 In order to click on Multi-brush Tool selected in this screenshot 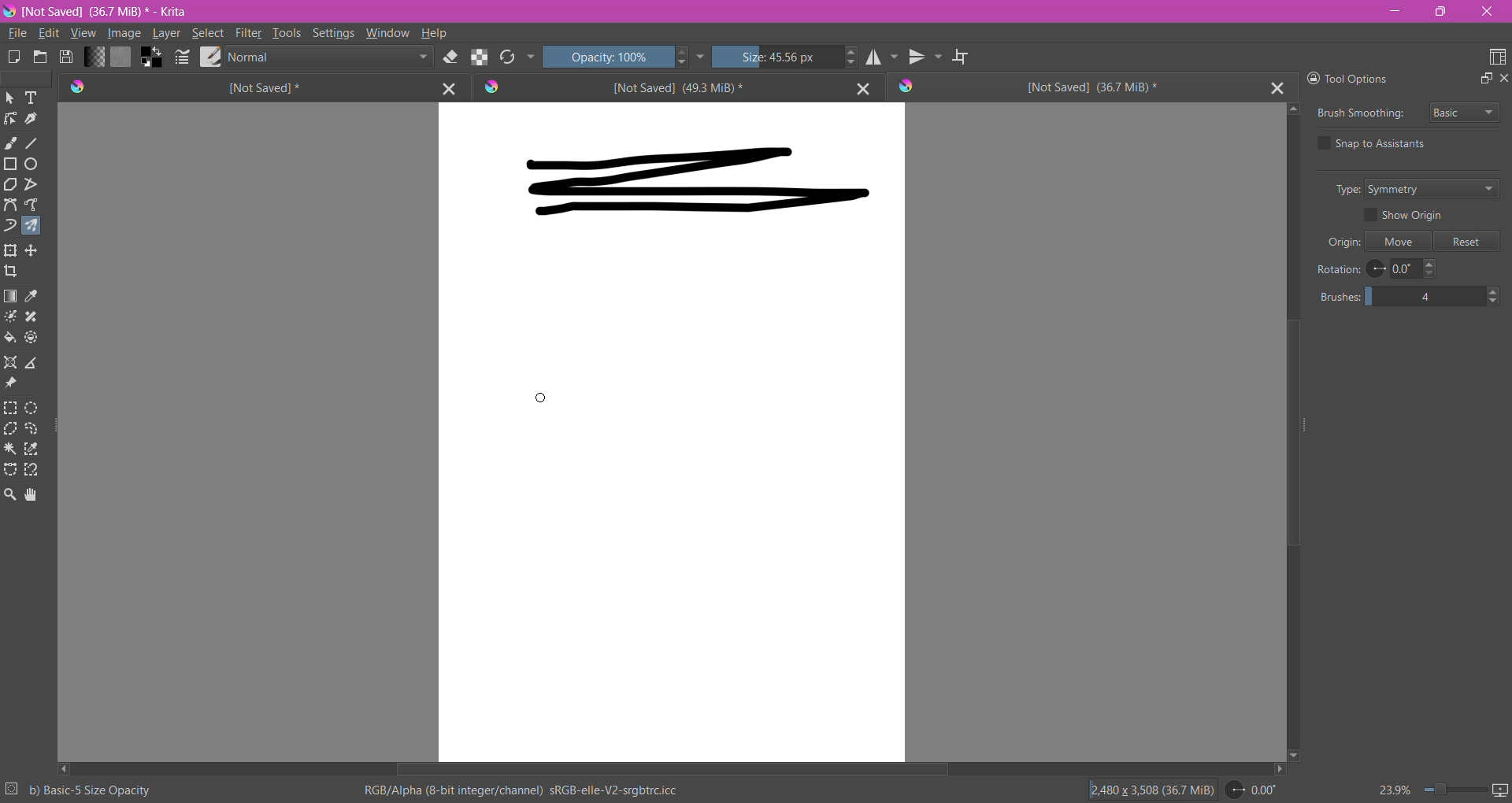, I will do `click(29, 227)`.